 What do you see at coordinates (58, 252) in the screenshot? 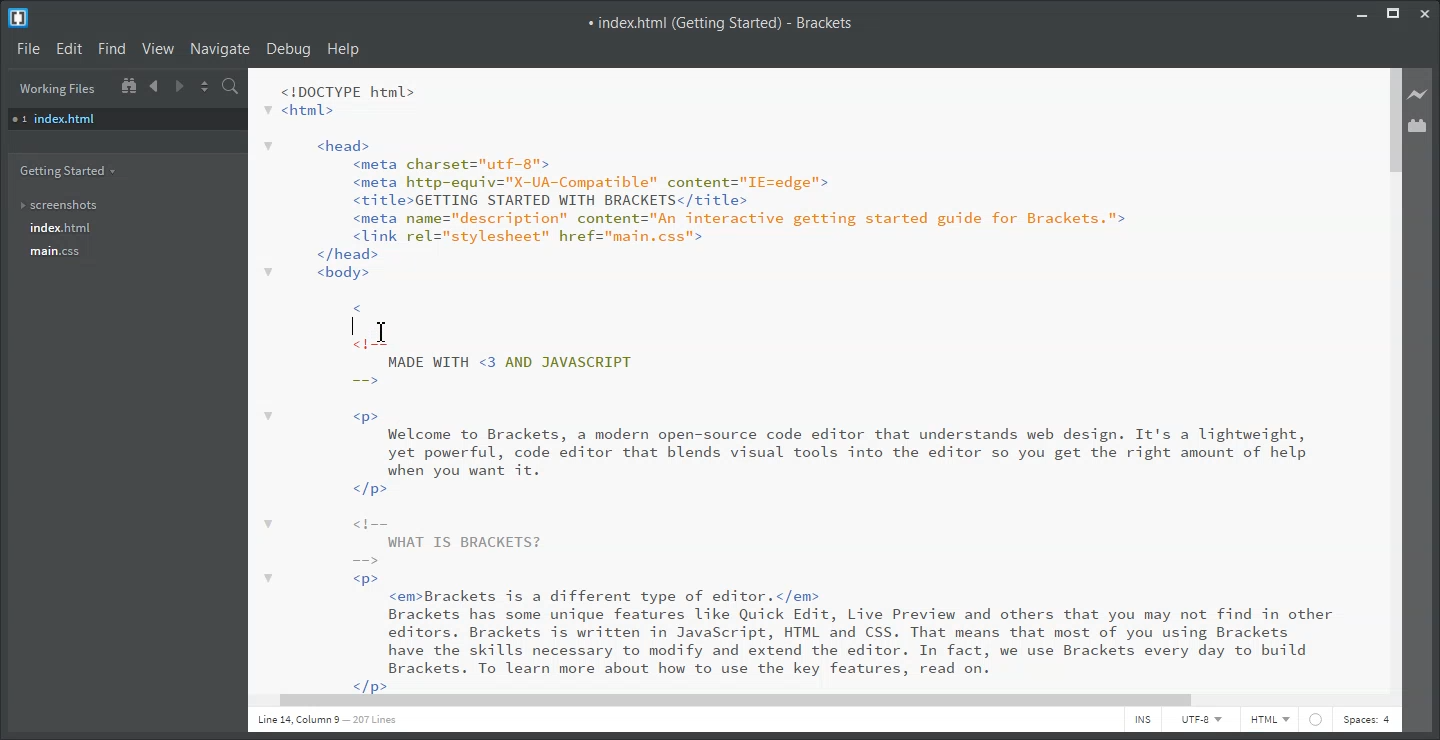
I see `main.css` at bounding box center [58, 252].